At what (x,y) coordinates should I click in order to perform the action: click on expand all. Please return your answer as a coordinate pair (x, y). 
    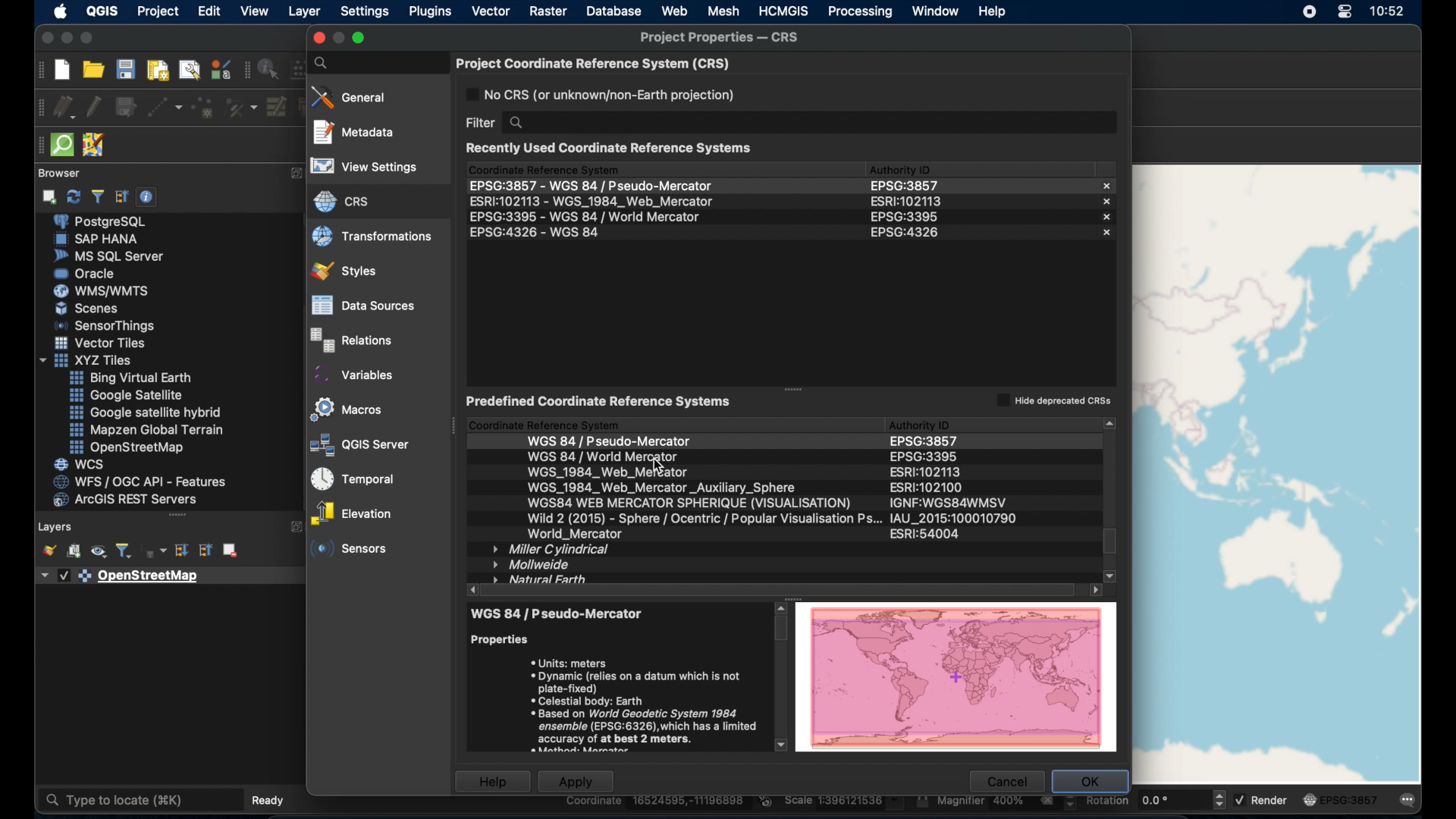
    Looking at the image, I should click on (181, 551).